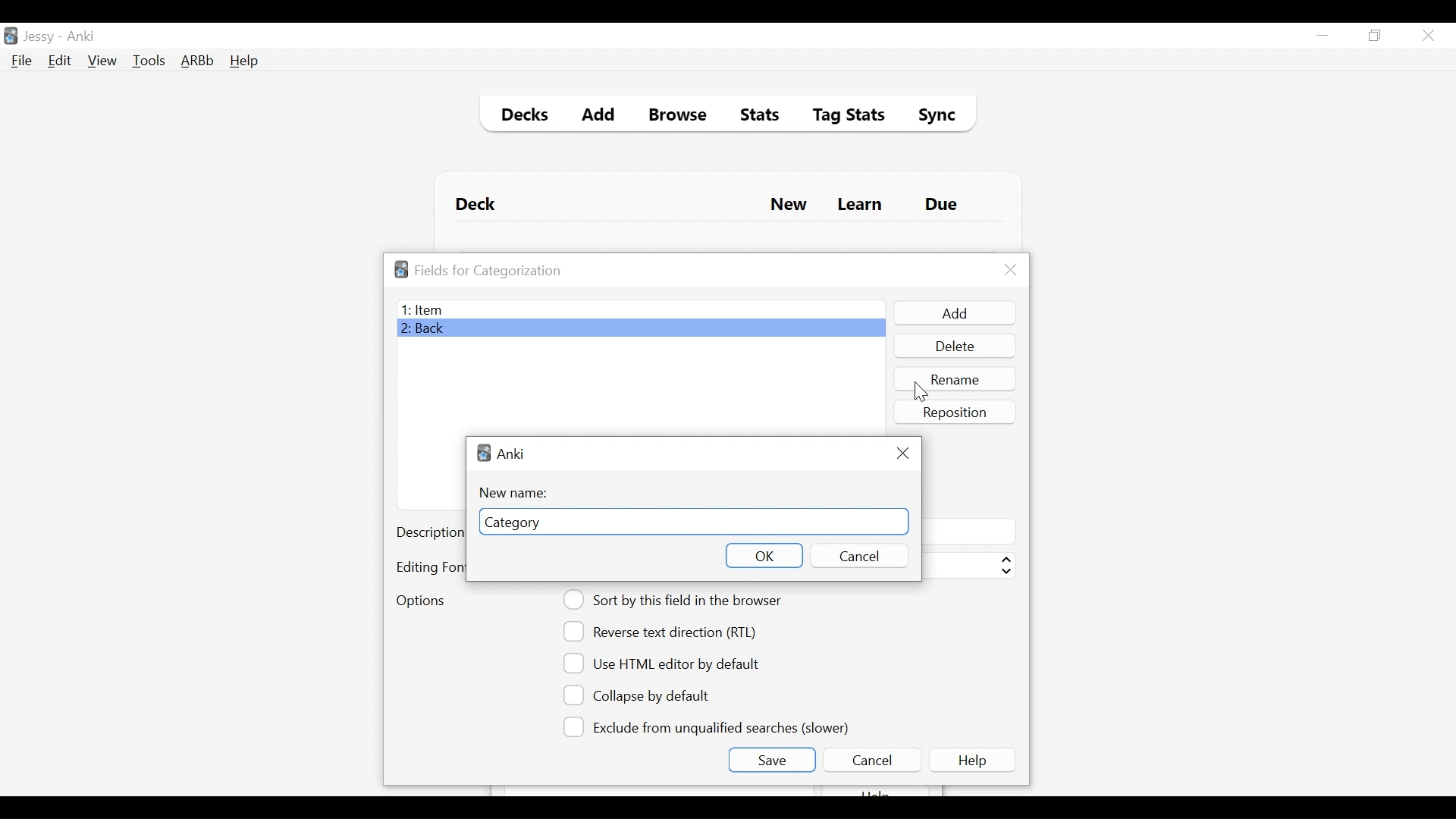  I want to click on New Name Field, so click(695, 521).